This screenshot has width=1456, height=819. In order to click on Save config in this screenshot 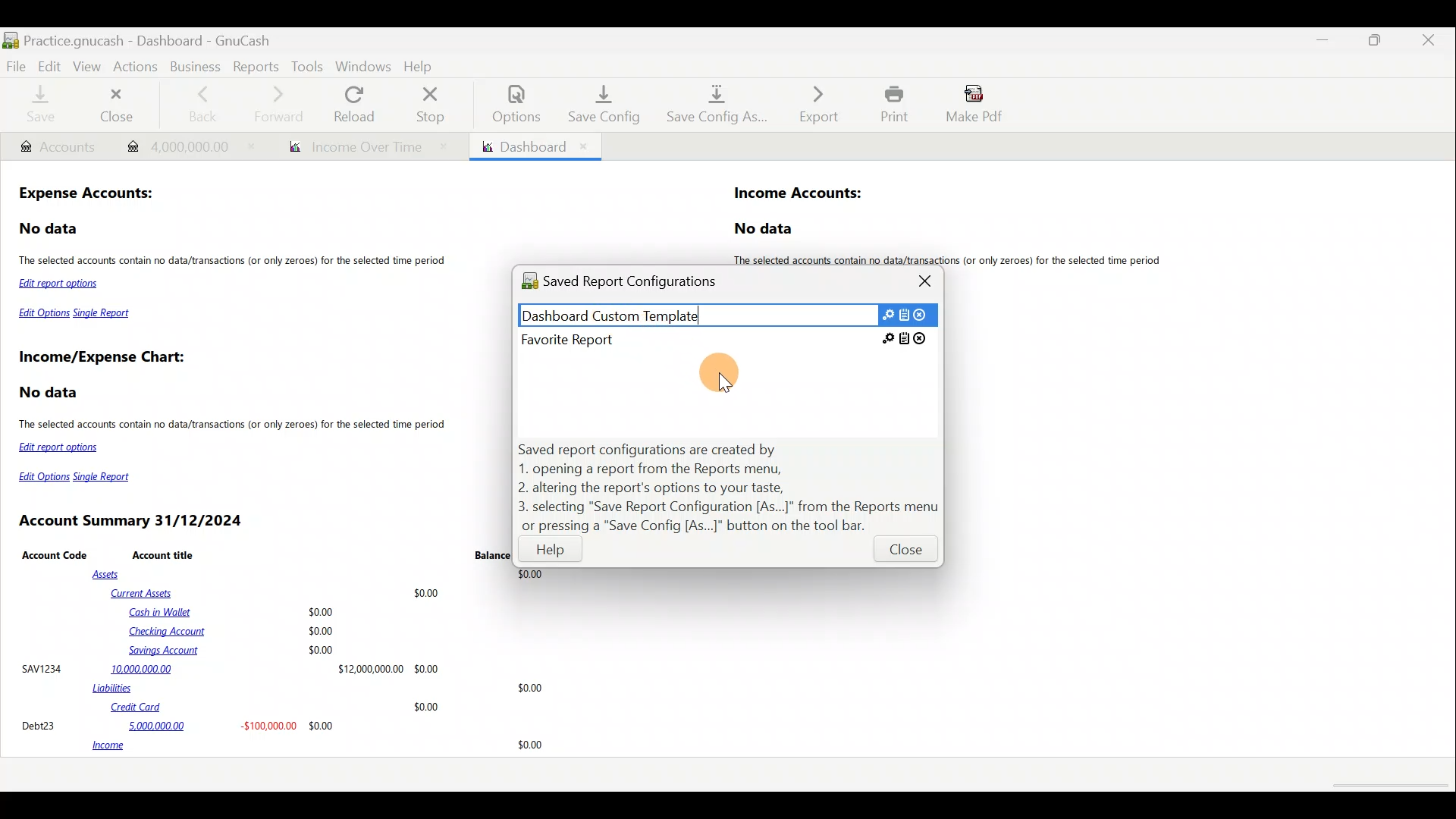, I will do `click(598, 104)`.